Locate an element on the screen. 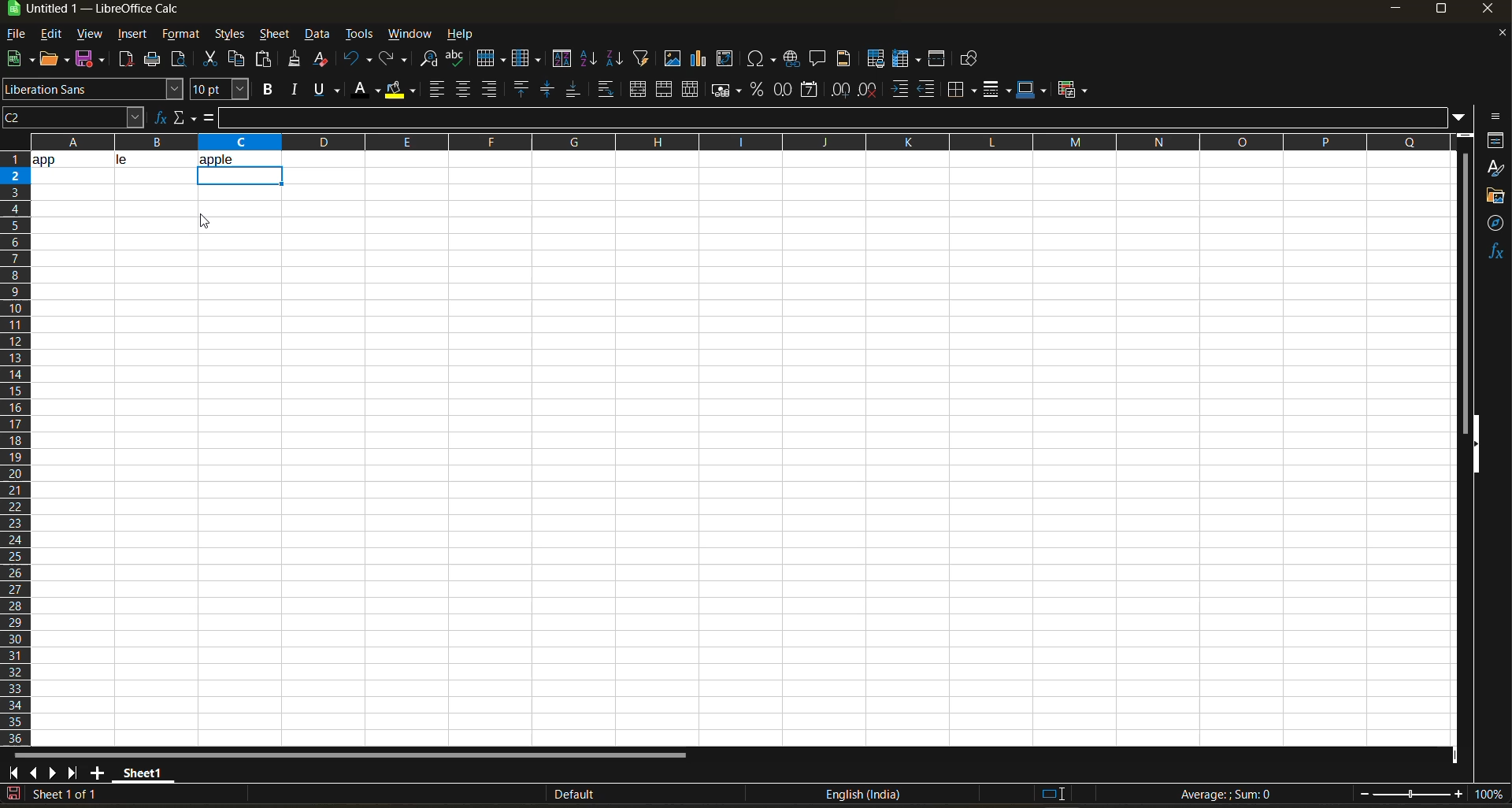 Image resolution: width=1512 pixels, height=808 pixels. border style is located at coordinates (996, 90).